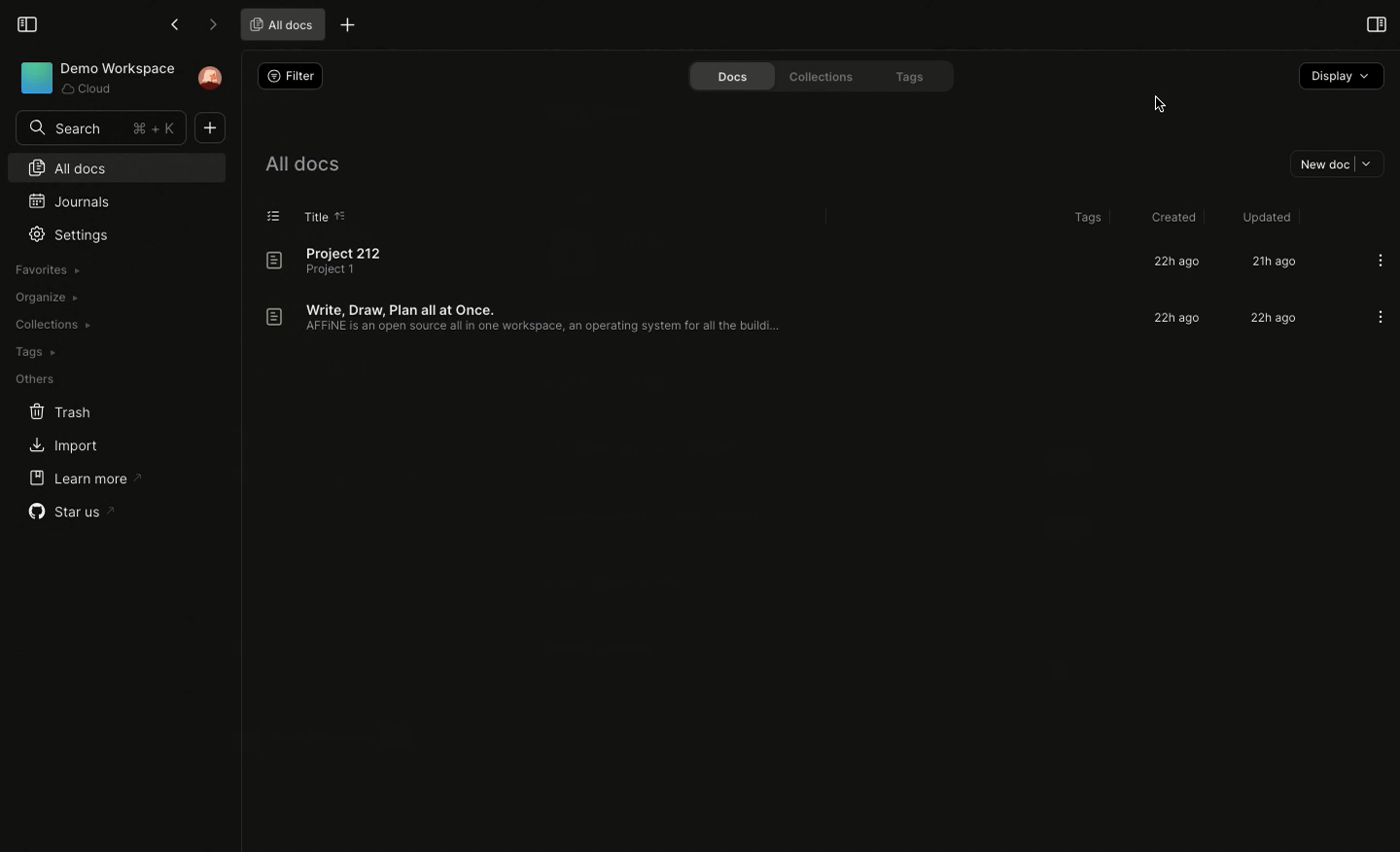 This screenshot has height=852, width=1400. Describe the element at coordinates (315, 216) in the screenshot. I see `Title` at that location.